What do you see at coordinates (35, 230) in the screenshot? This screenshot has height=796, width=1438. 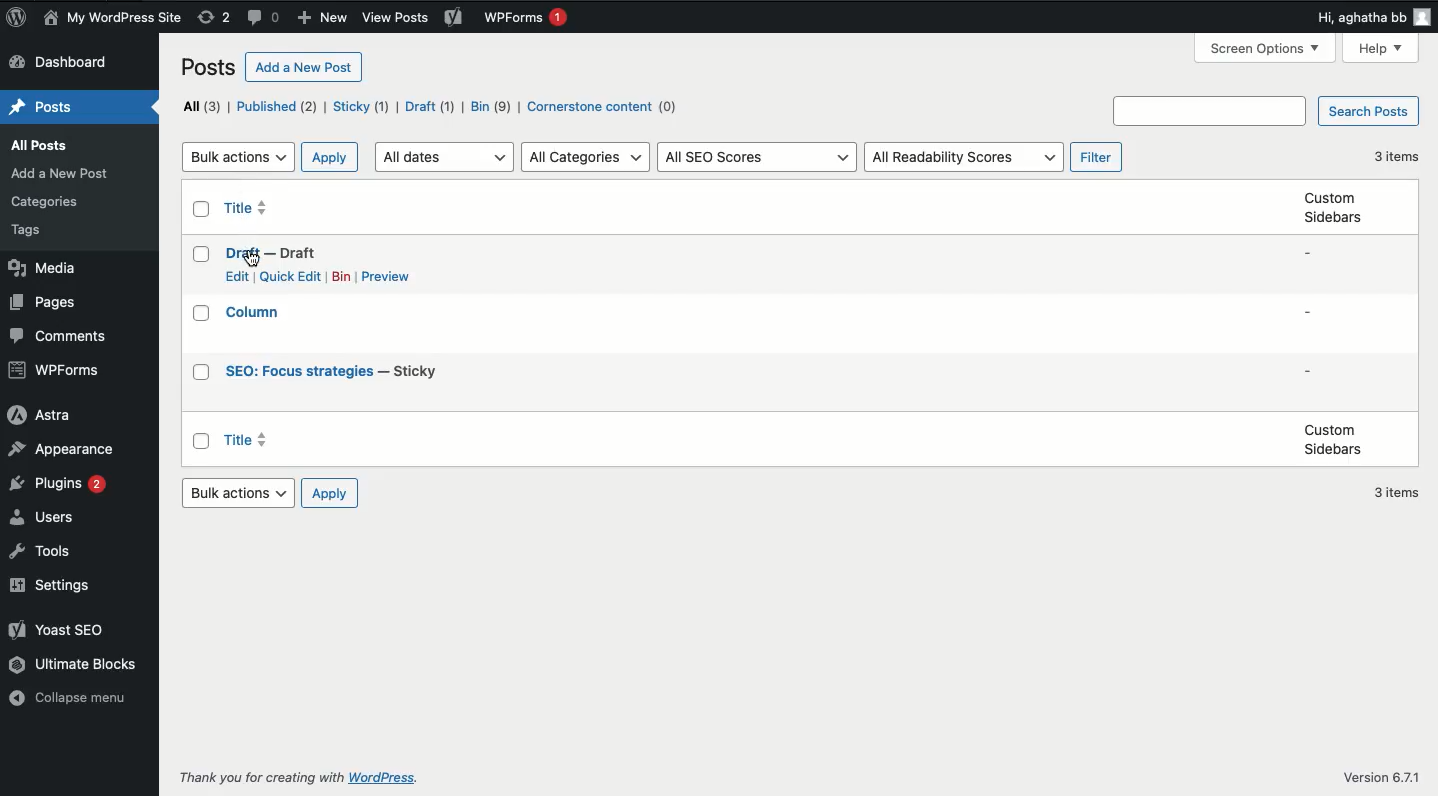 I see `Posts` at bounding box center [35, 230].